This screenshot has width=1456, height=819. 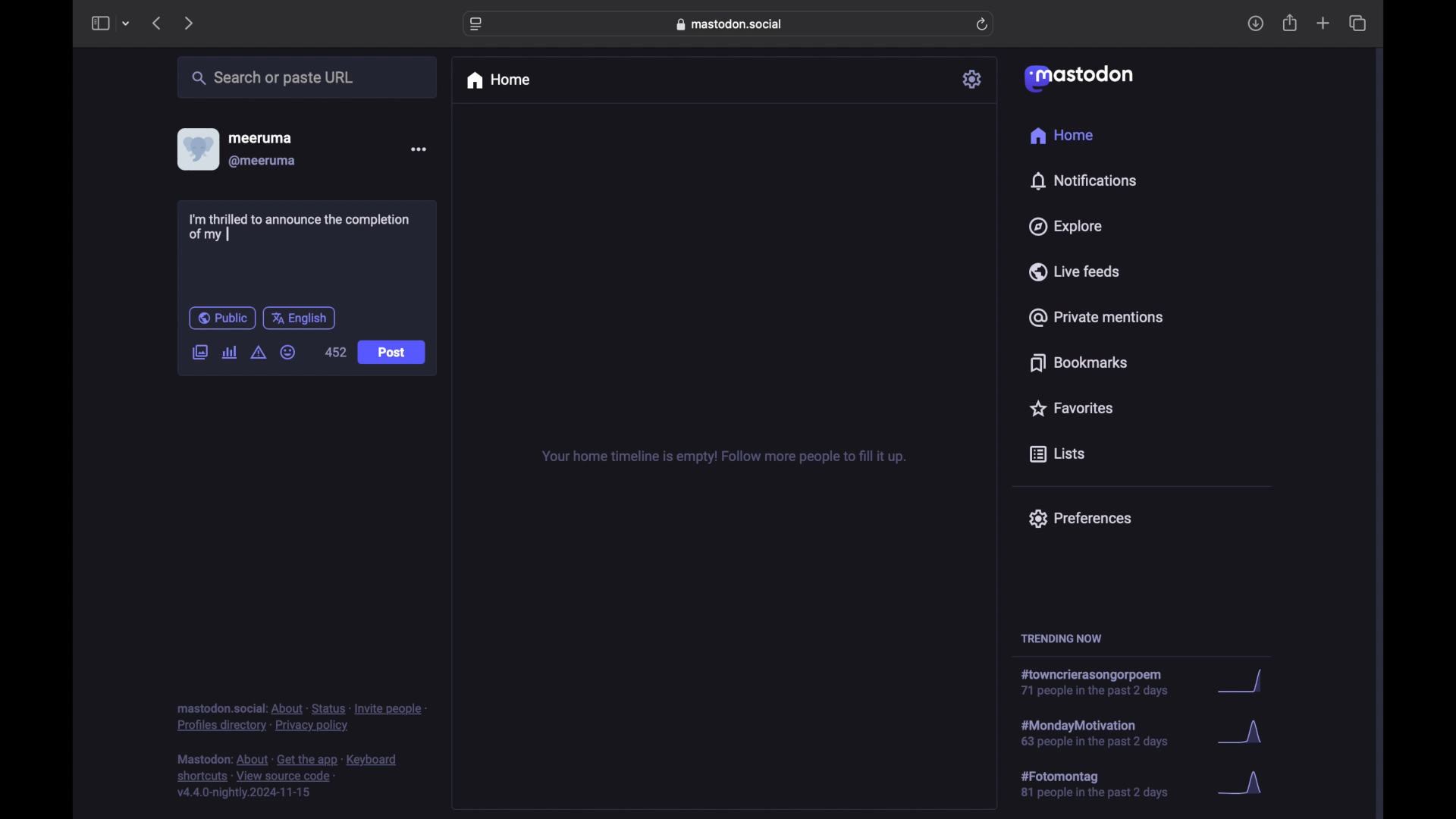 What do you see at coordinates (301, 718) in the screenshot?
I see `footnote` at bounding box center [301, 718].